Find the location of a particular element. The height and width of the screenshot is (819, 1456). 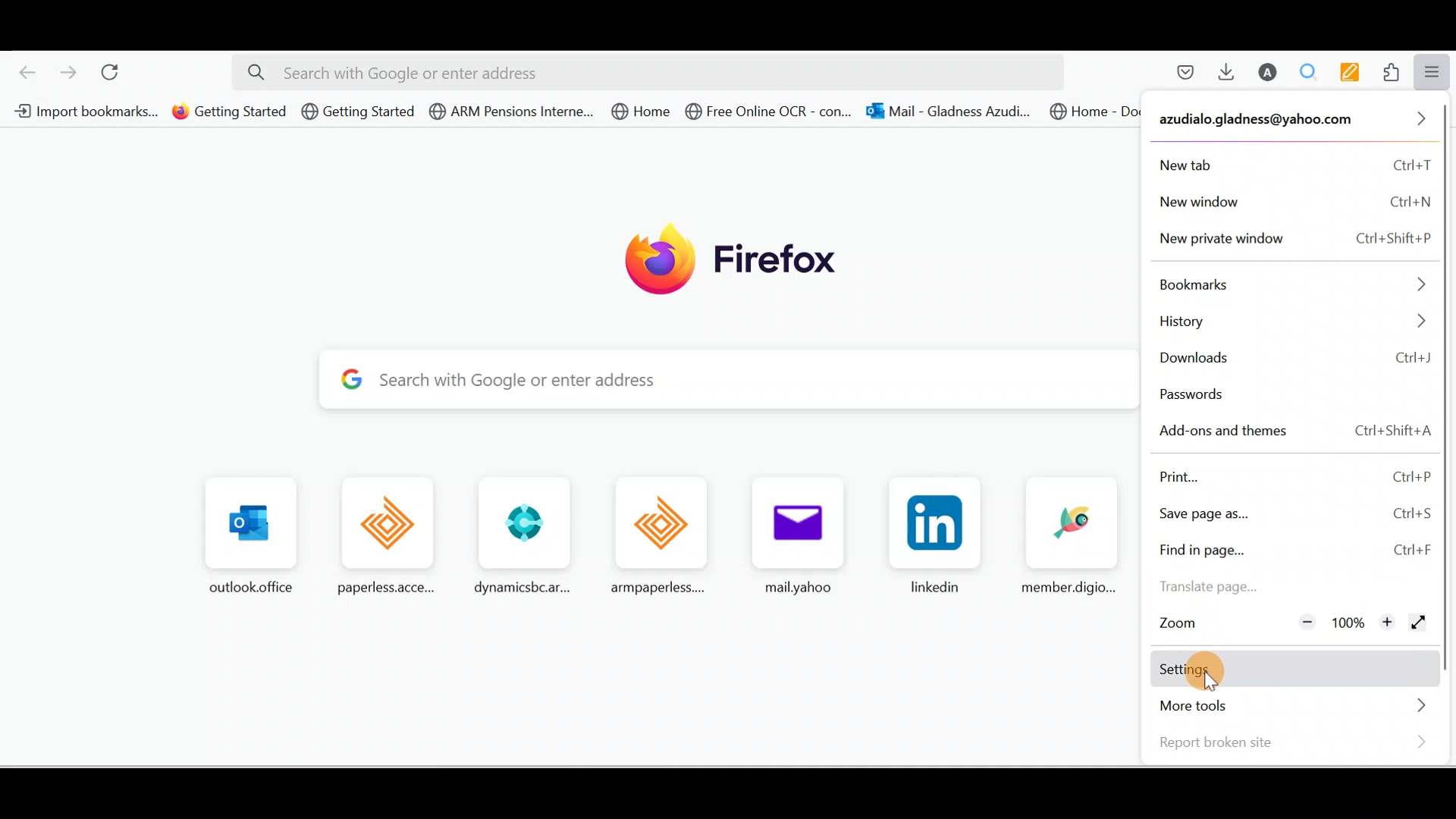

Bookmarks is located at coordinates (1291, 281).